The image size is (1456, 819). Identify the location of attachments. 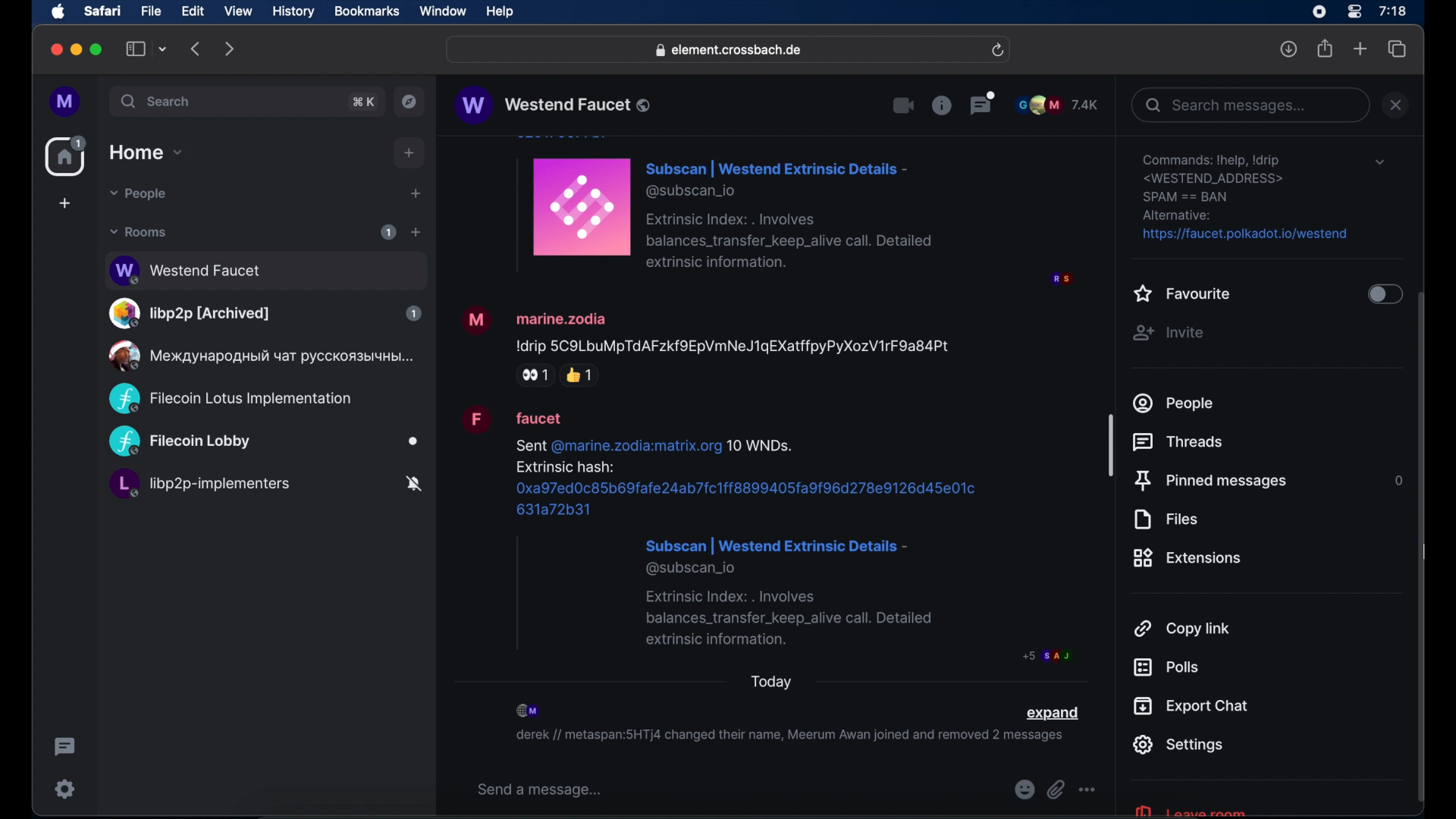
(1056, 790).